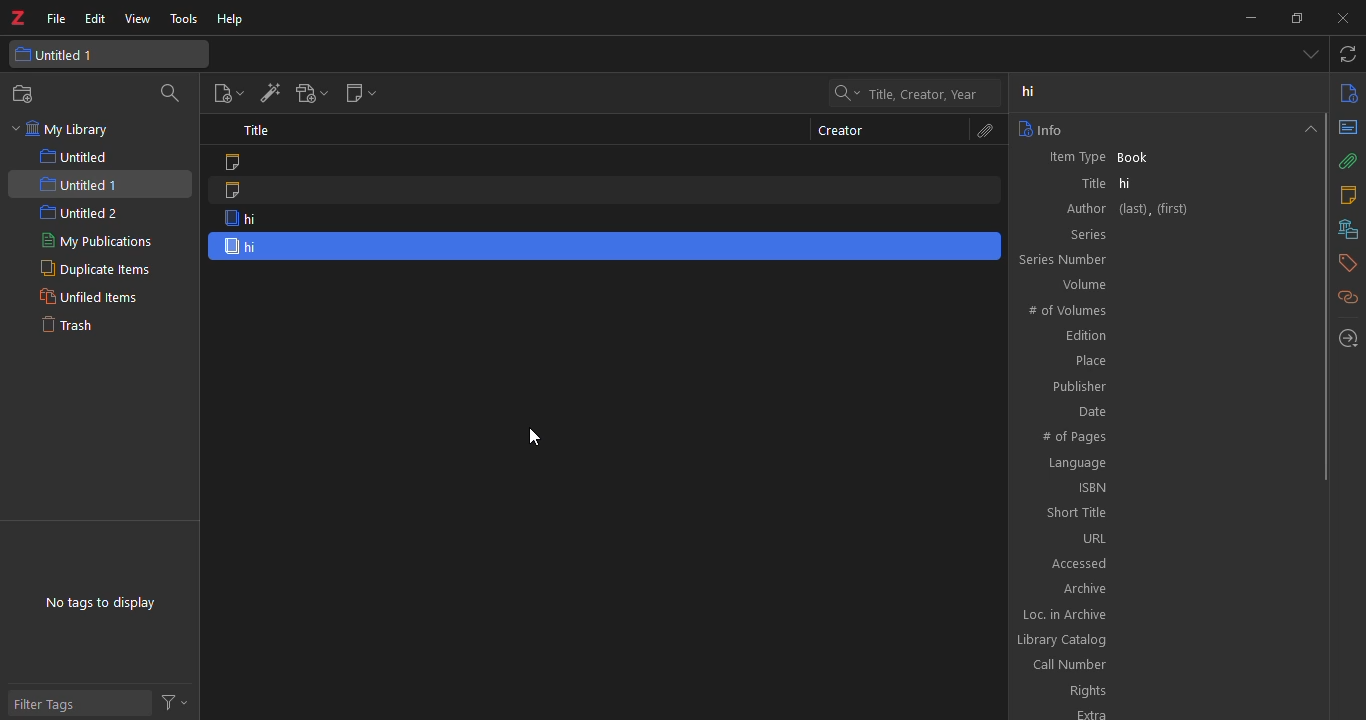 This screenshot has height=720, width=1366. I want to click on library catalog, so click(1064, 639).